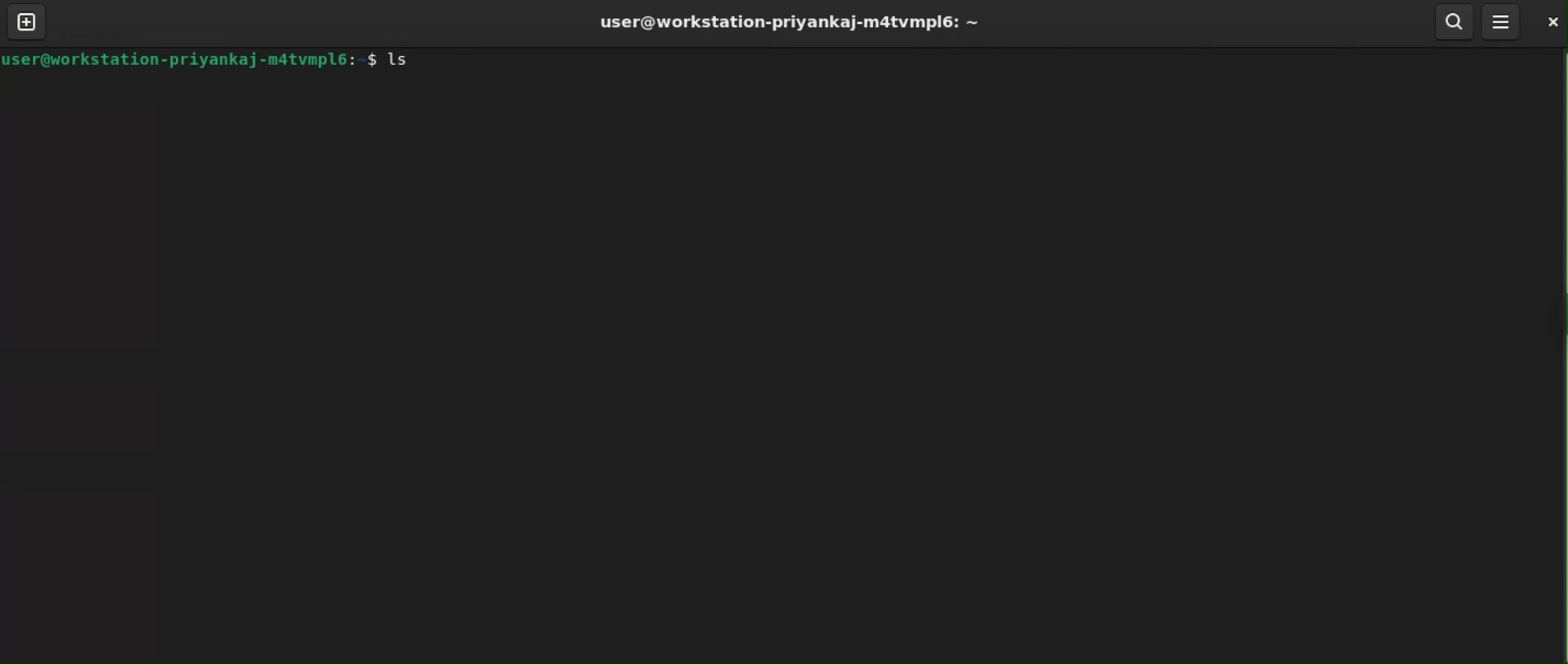  What do you see at coordinates (1500, 21) in the screenshot?
I see `menu` at bounding box center [1500, 21].